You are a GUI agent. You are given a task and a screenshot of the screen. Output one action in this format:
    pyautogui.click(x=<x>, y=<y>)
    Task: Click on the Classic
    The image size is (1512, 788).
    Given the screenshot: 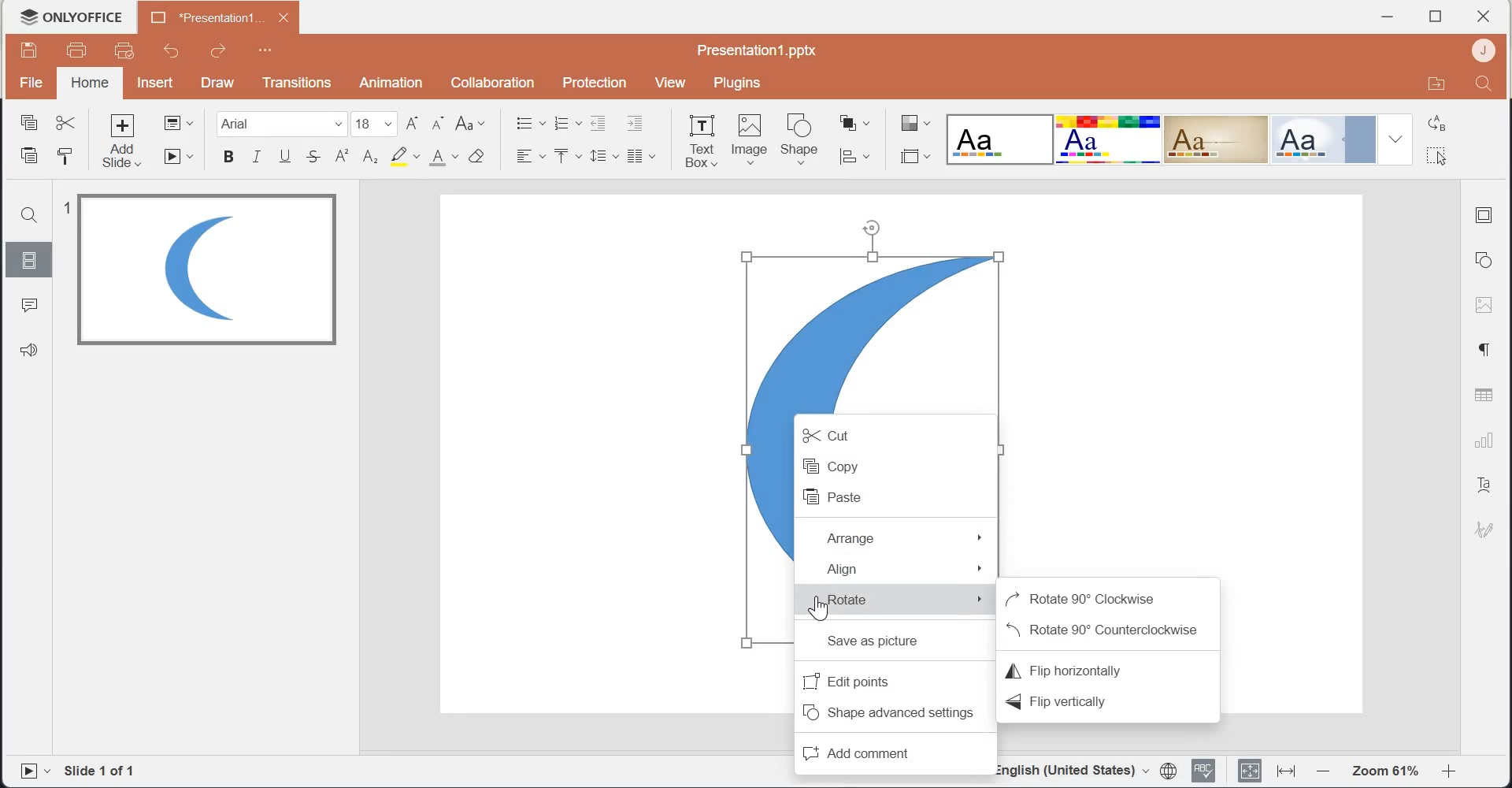 What is the action you would take?
    pyautogui.click(x=1217, y=139)
    